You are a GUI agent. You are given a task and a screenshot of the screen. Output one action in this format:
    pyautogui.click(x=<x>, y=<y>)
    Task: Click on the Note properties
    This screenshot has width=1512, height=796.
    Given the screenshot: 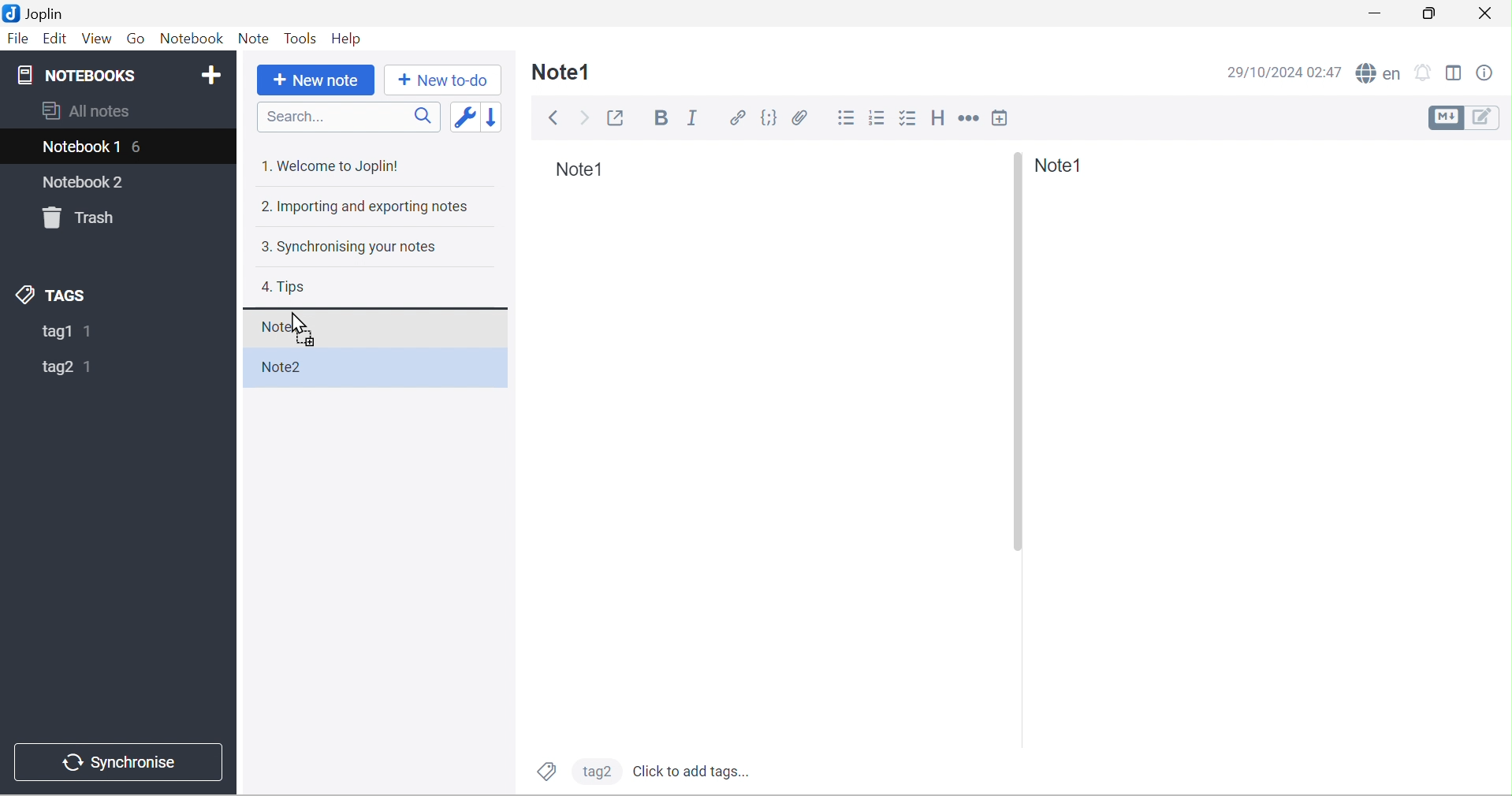 What is the action you would take?
    pyautogui.click(x=1484, y=73)
    